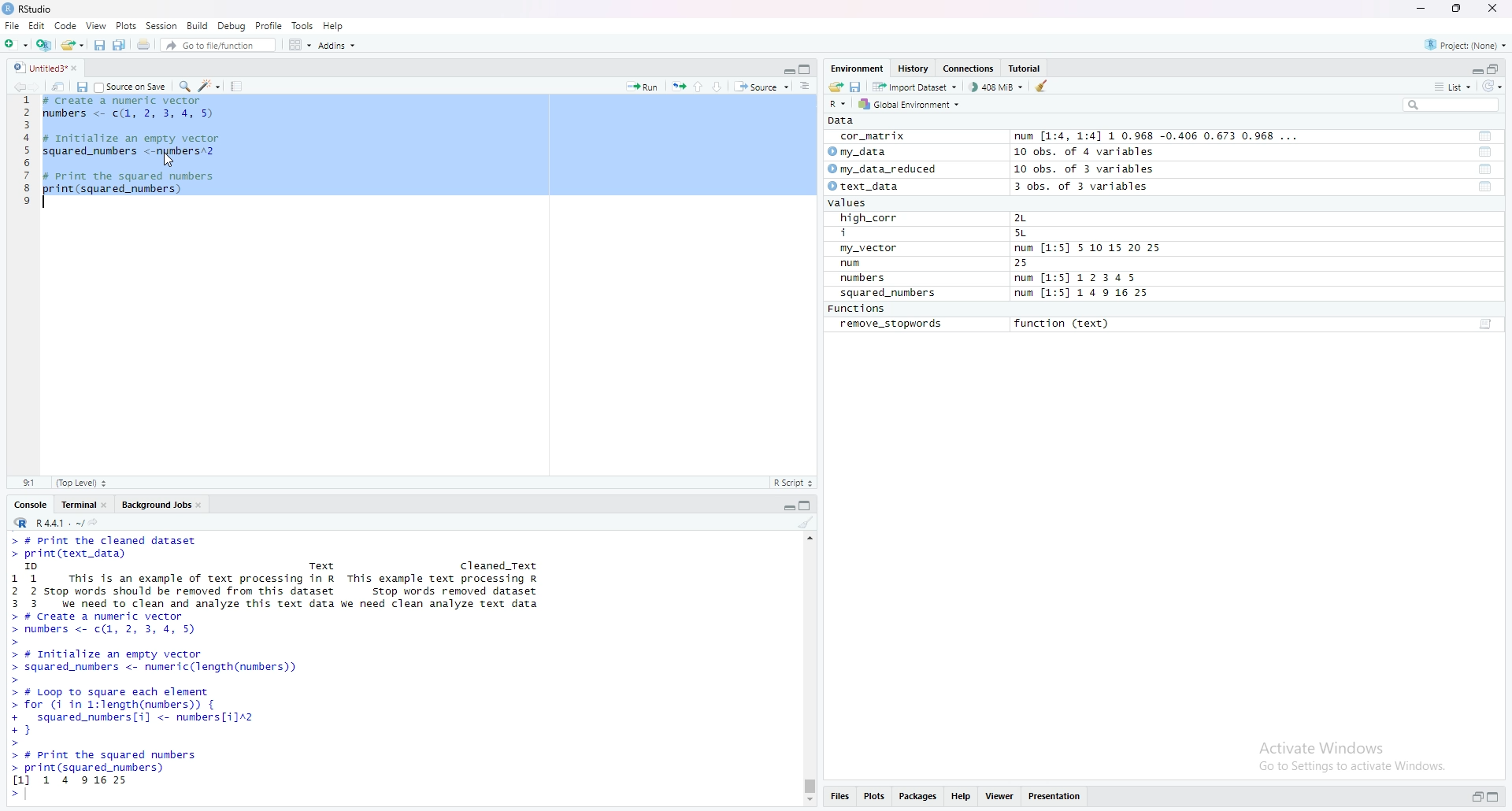 The height and width of the screenshot is (811, 1512). Describe the element at coordinates (1084, 152) in the screenshot. I see `10 obs. of 4 variables` at that location.